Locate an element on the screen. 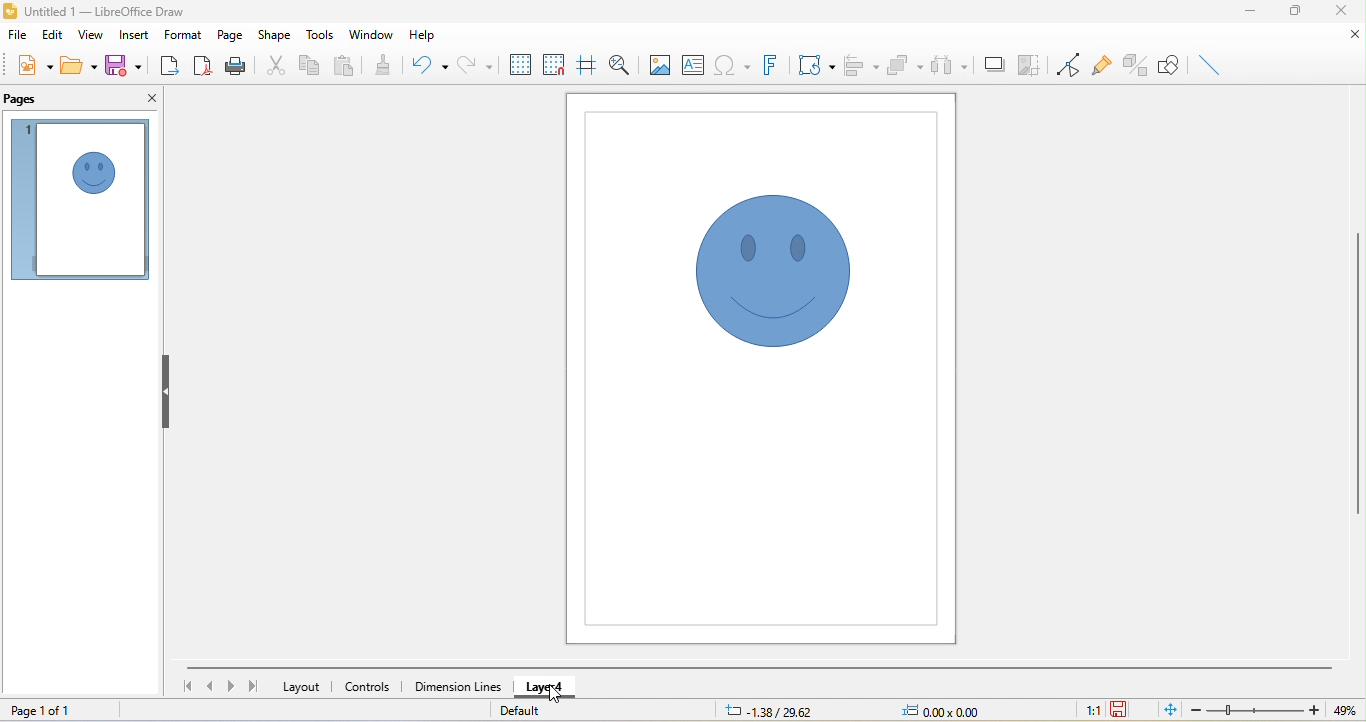  layout is located at coordinates (302, 688).